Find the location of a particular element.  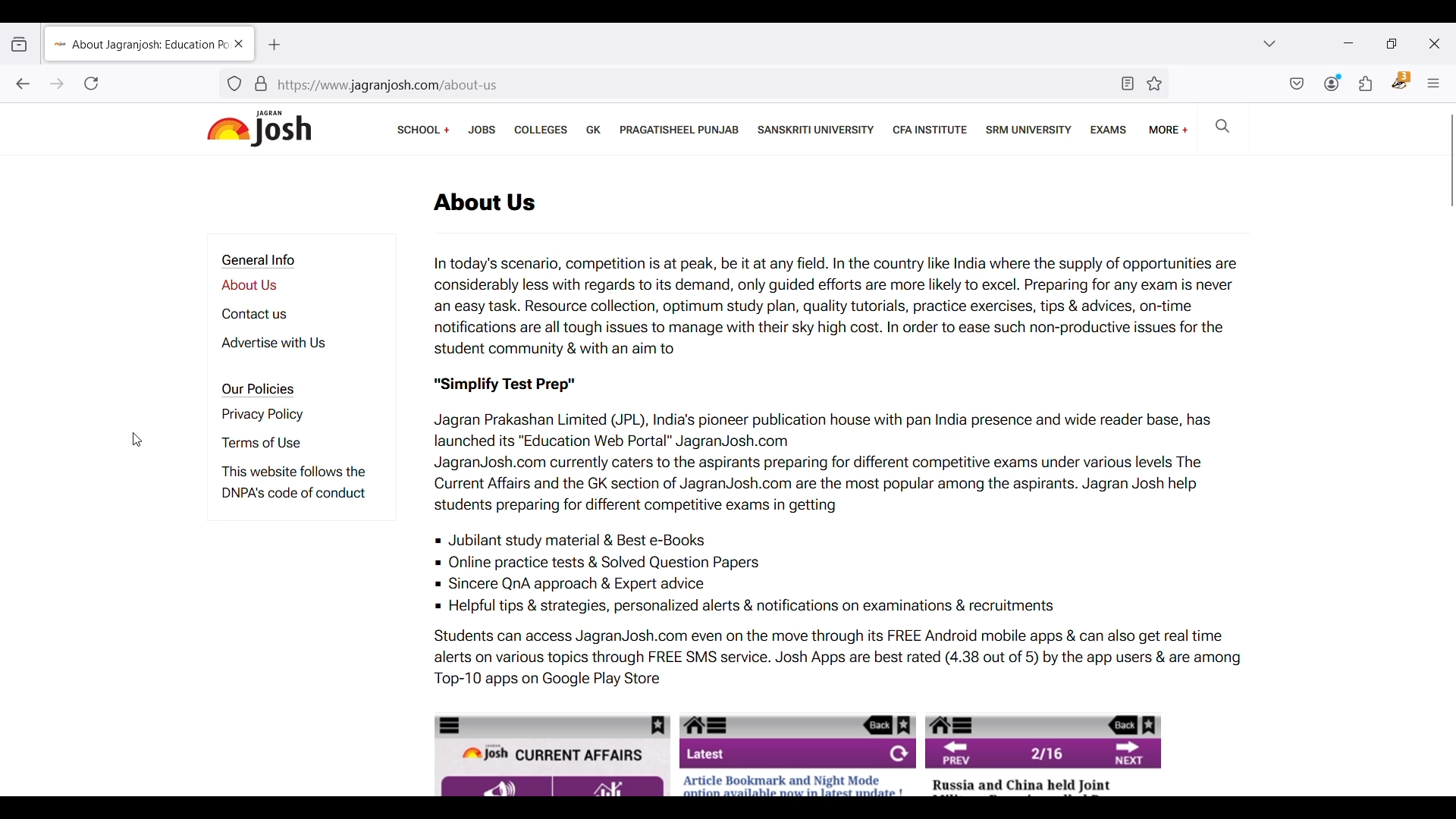

Cursor position unchanged is located at coordinates (137, 439).